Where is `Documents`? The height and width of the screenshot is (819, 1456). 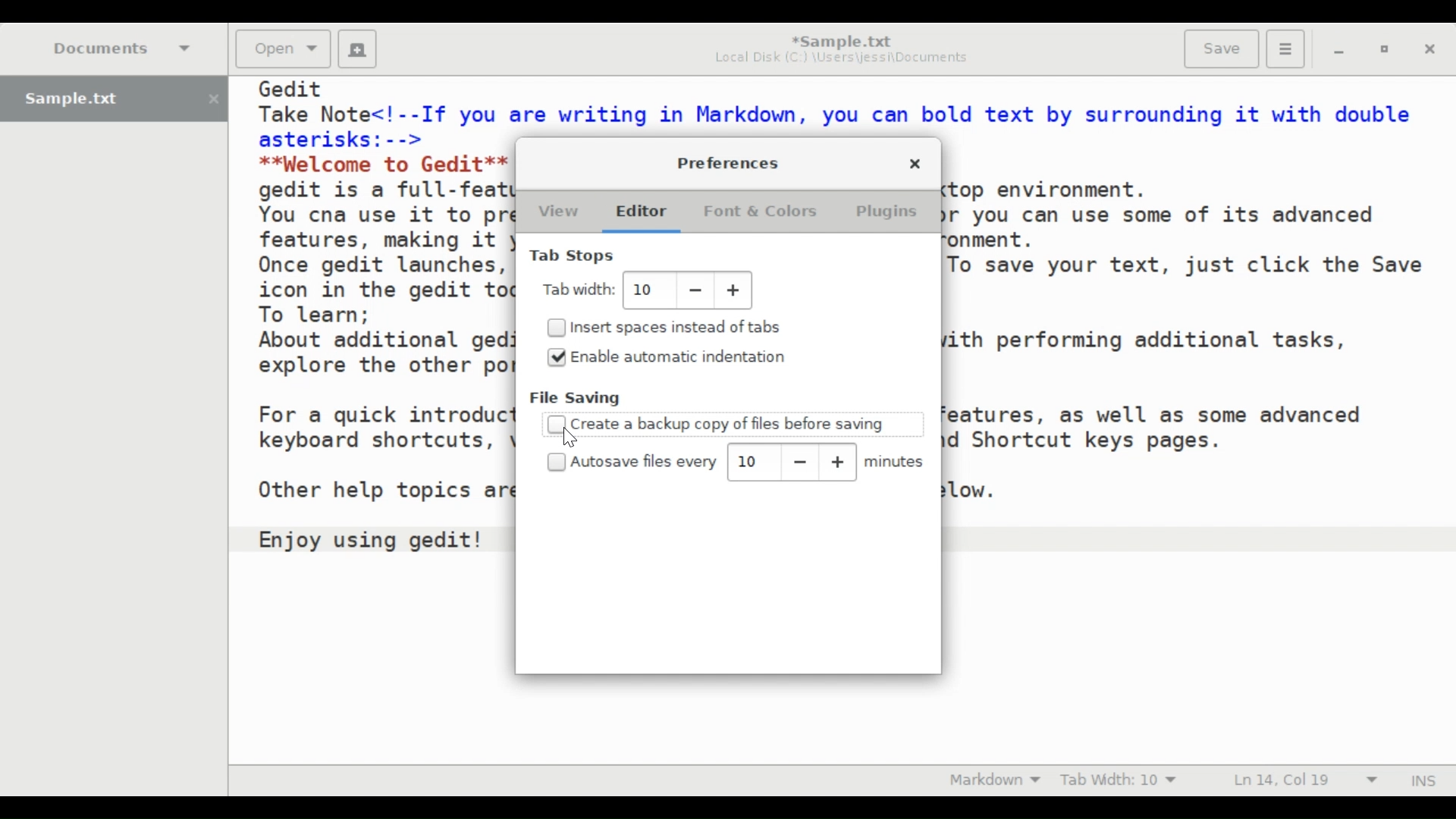
Documents is located at coordinates (124, 48).